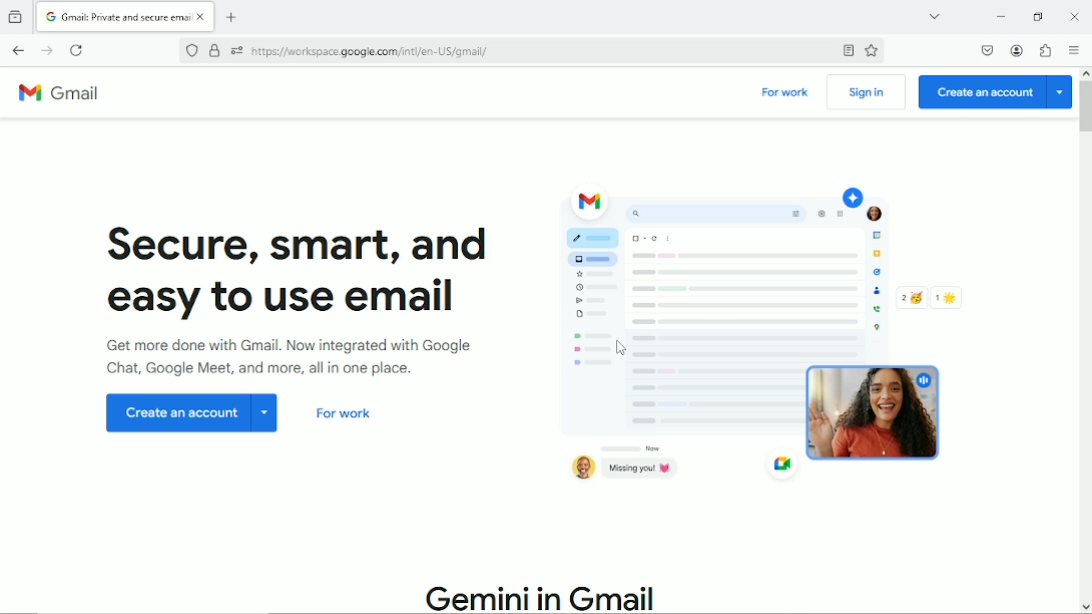 The image size is (1092, 614). Describe the element at coordinates (995, 92) in the screenshot. I see `Create an account` at that location.